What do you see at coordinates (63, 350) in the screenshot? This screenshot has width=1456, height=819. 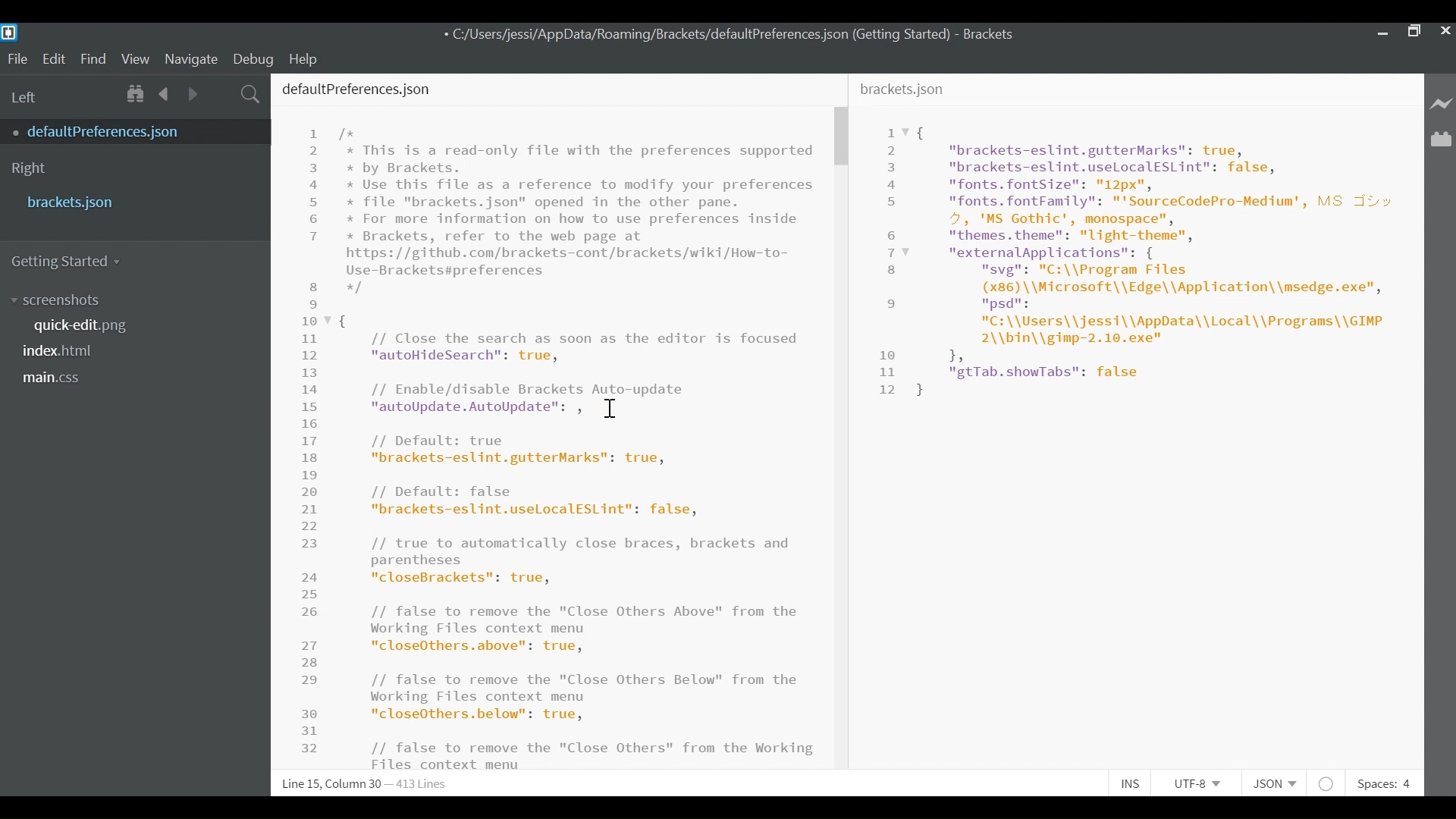 I see `index.html` at bounding box center [63, 350].